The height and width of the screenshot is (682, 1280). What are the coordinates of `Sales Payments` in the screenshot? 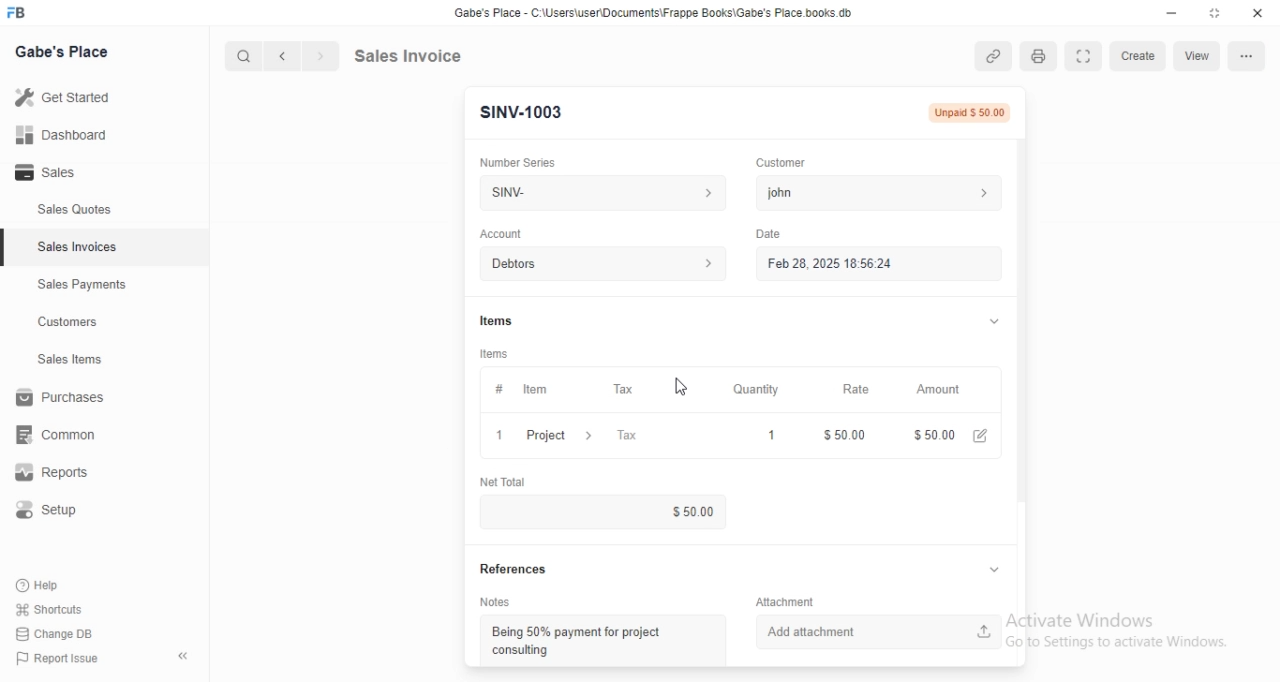 It's located at (77, 285).